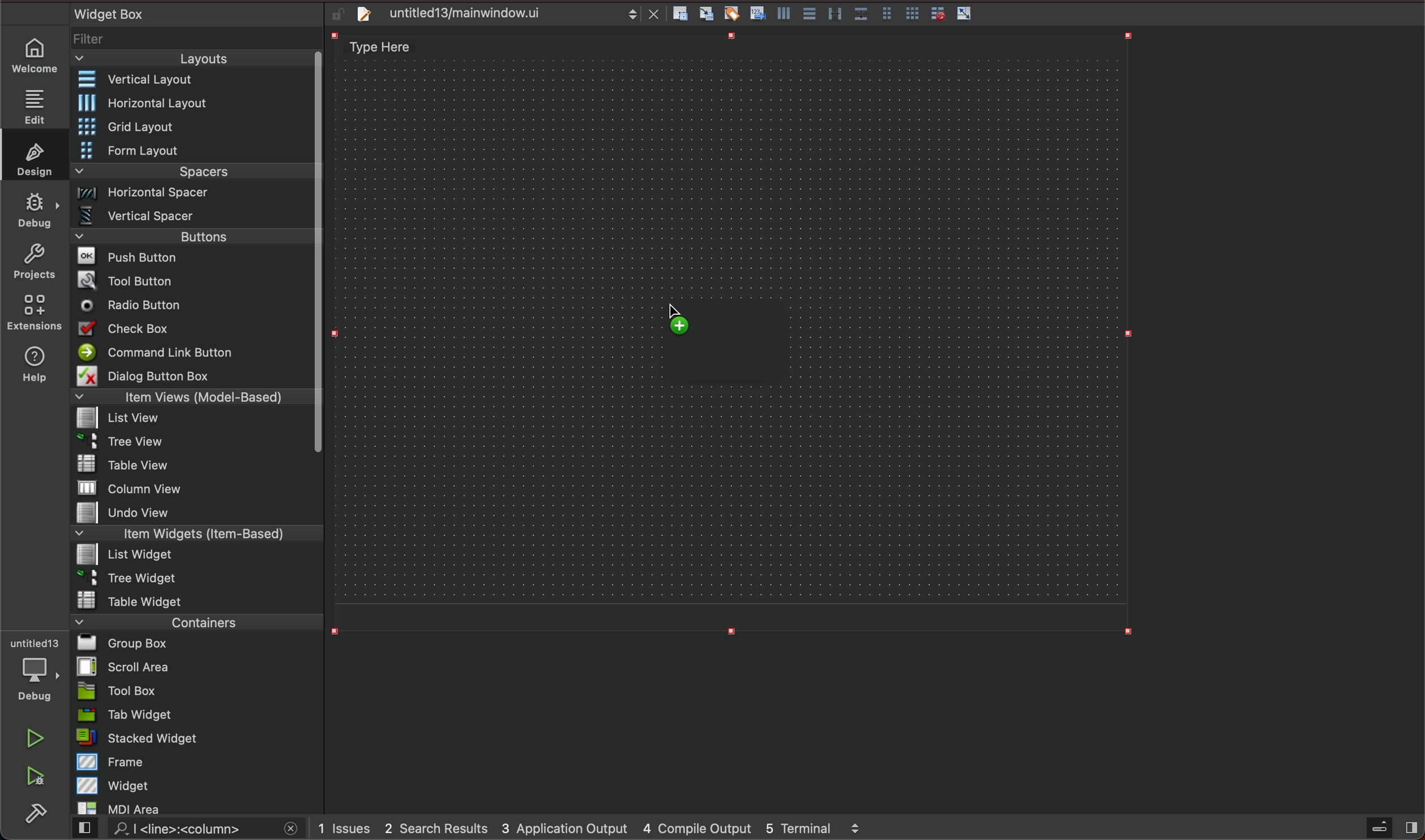 This screenshot has height=840, width=1425. I want to click on column view, so click(196, 487).